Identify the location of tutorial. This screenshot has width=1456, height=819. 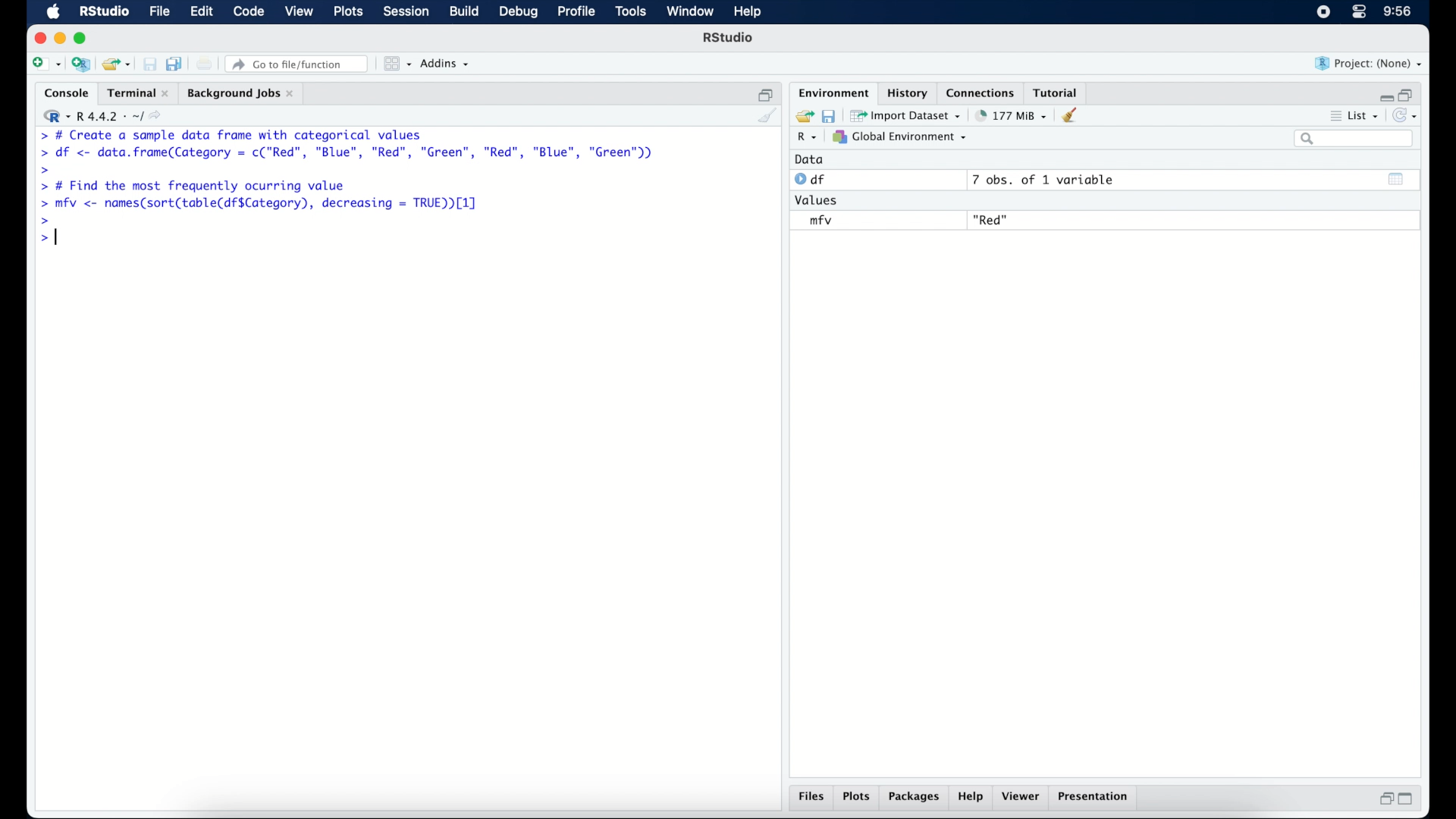
(1059, 92).